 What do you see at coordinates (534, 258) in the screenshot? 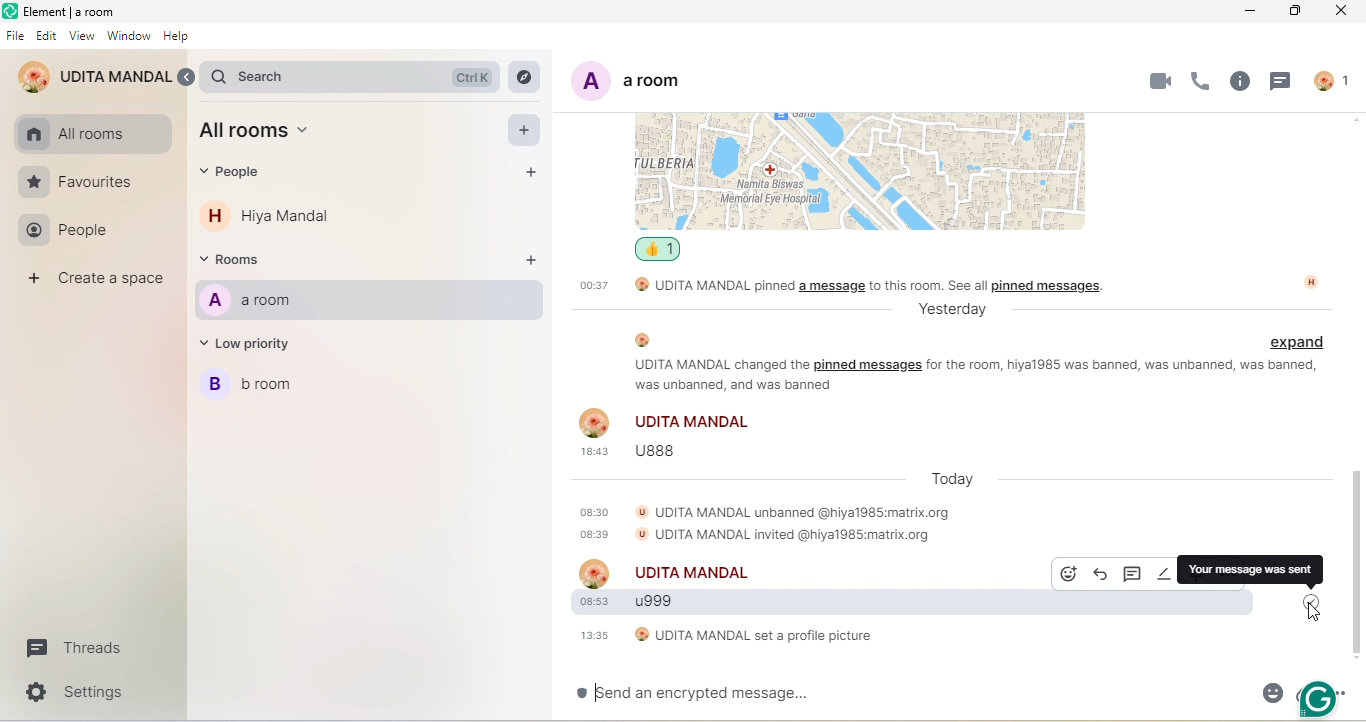
I see `Add Rooms` at bounding box center [534, 258].